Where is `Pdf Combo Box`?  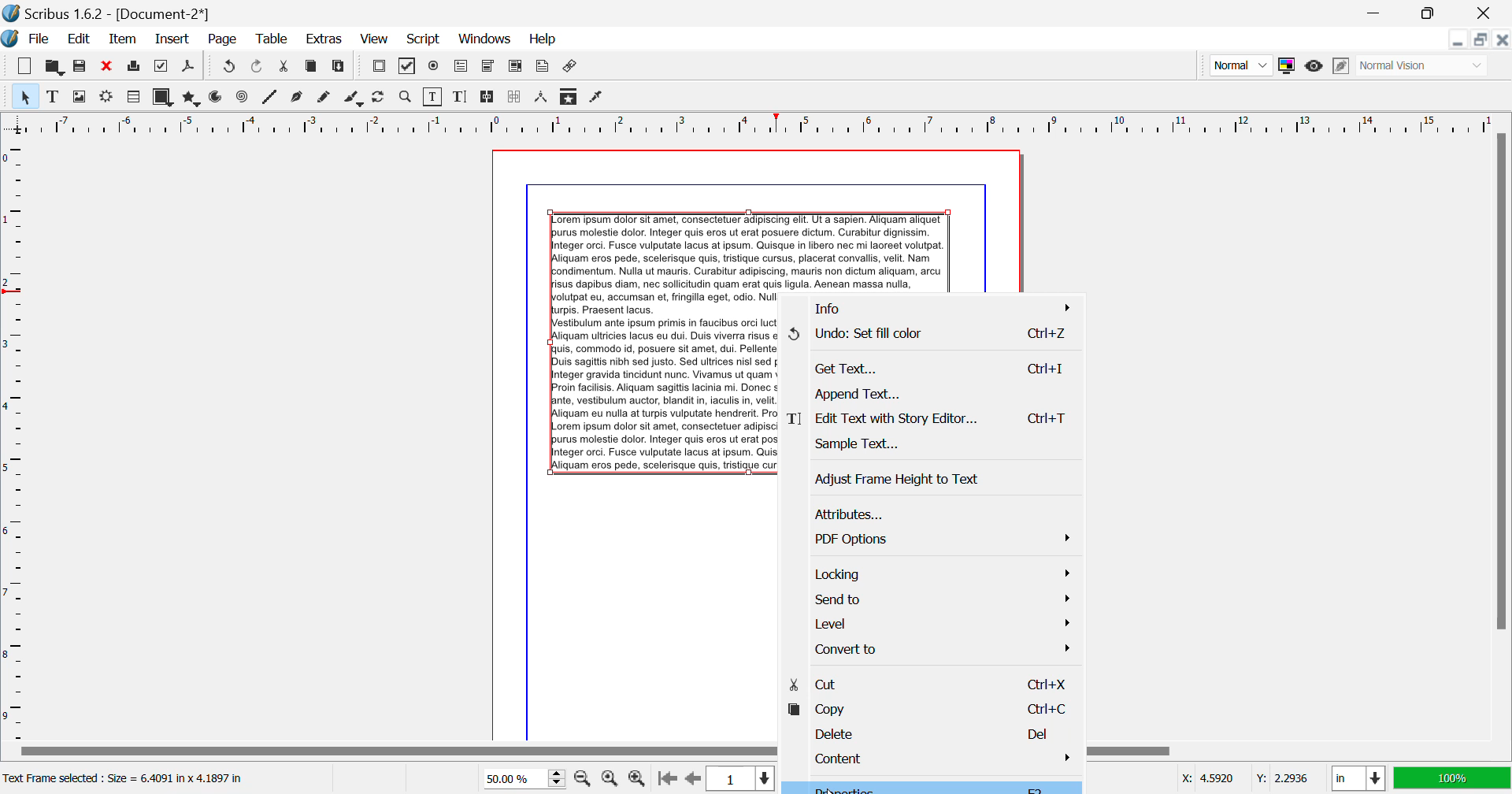
Pdf Combo Box is located at coordinates (487, 67).